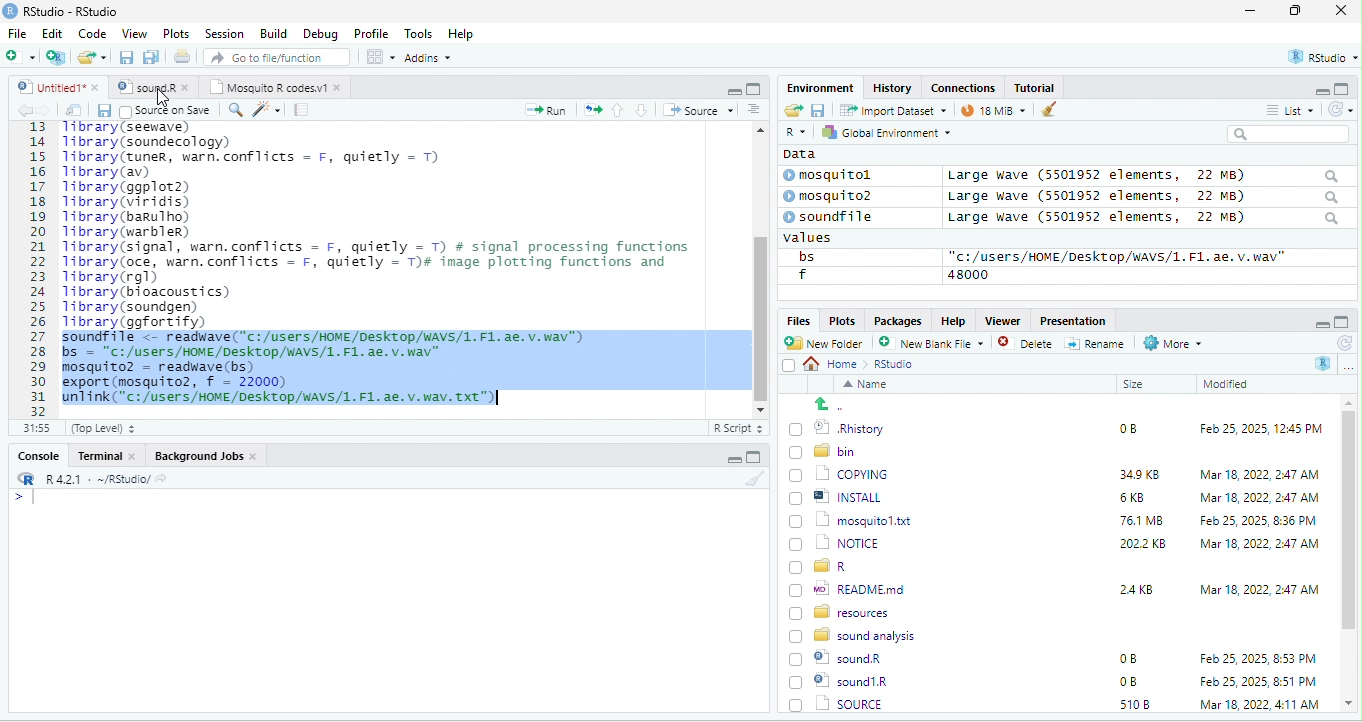 The width and height of the screenshot is (1362, 722). I want to click on Rstudio, so click(895, 364).